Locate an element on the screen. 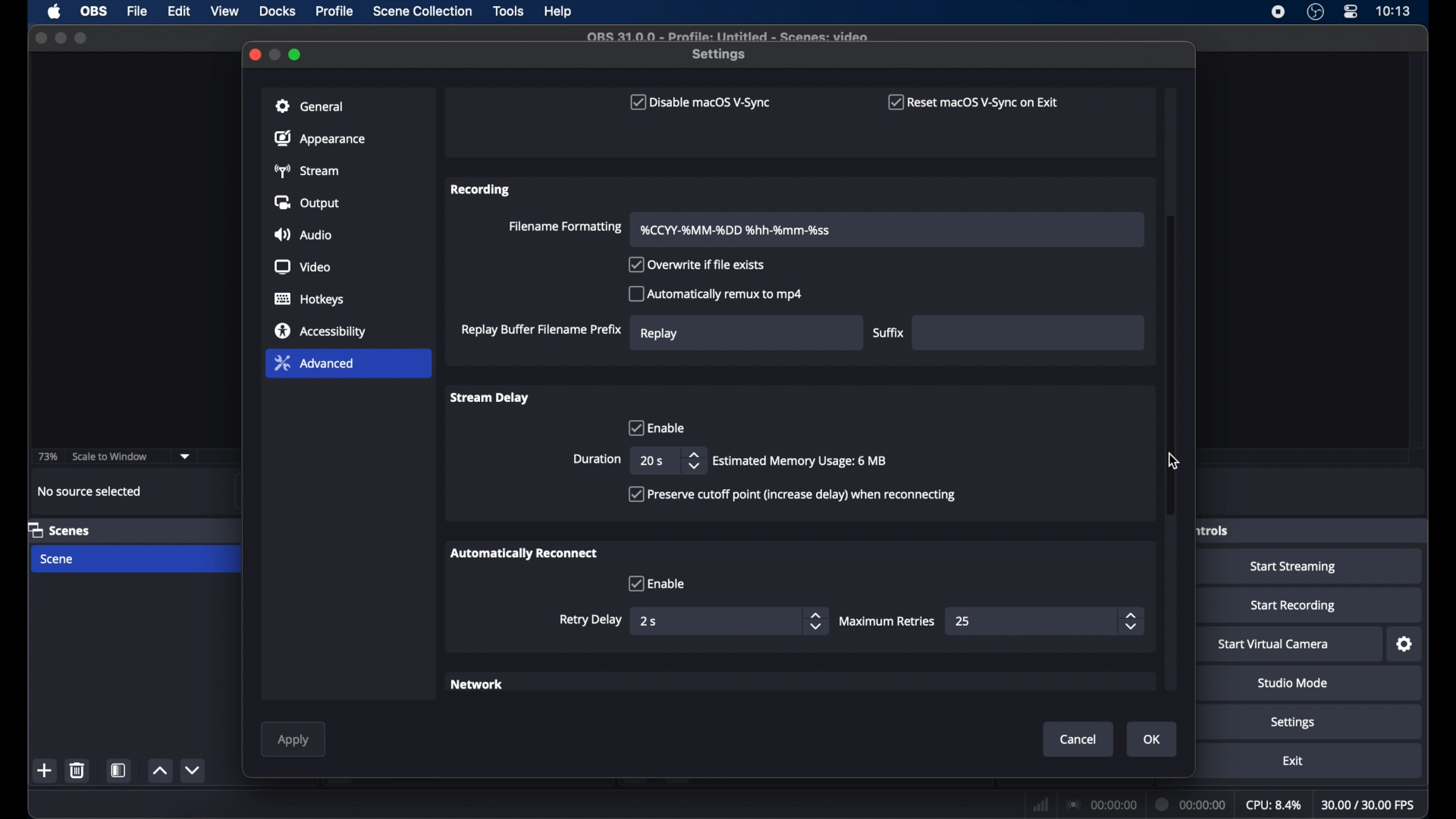 Image resolution: width=1456 pixels, height=819 pixels. help is located at coordinates (559, 12).